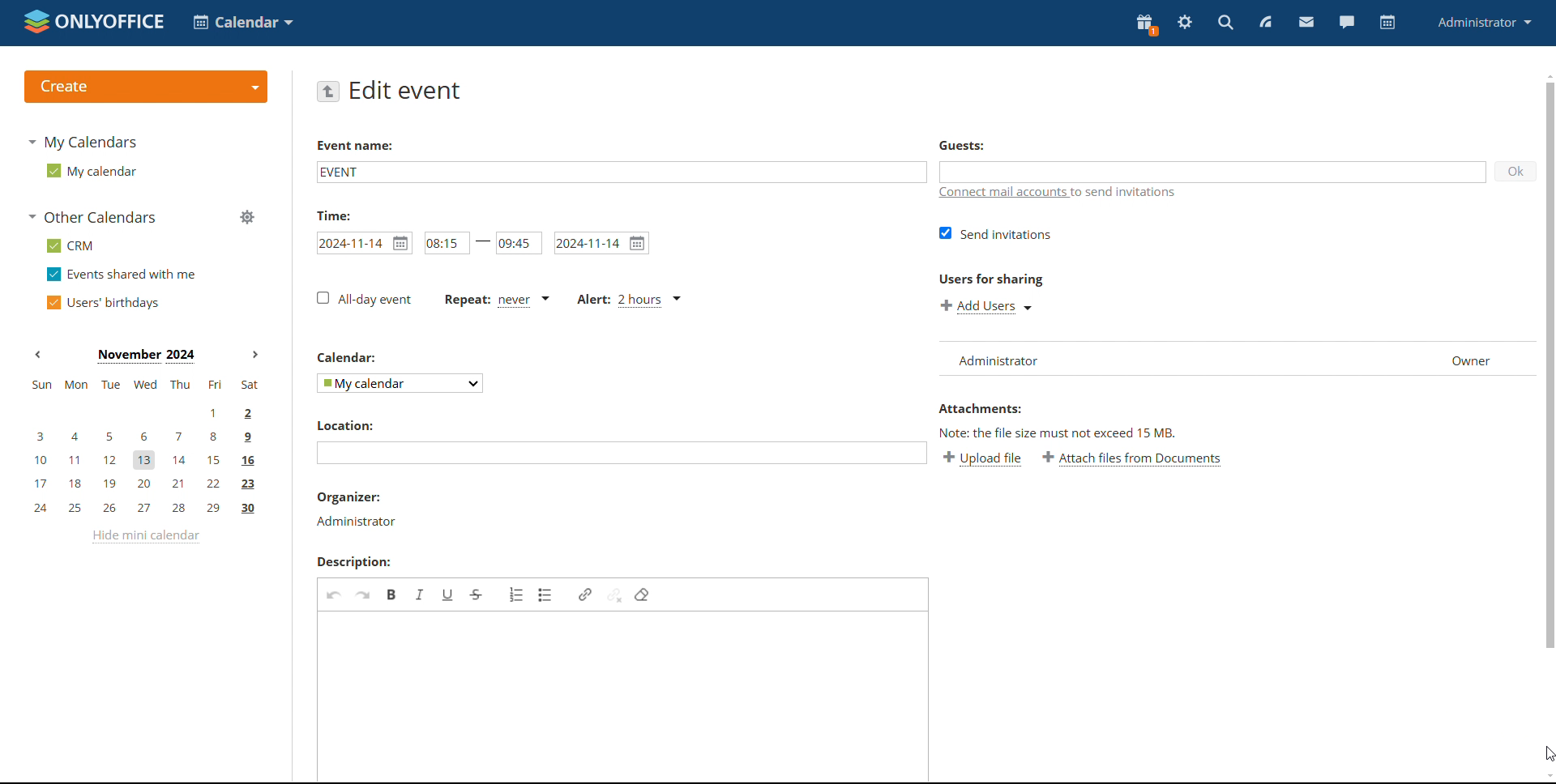  What do you see at coordinates (353, 500) in the screenshot?
I see `organizer label` at bounding box center [353, 500].